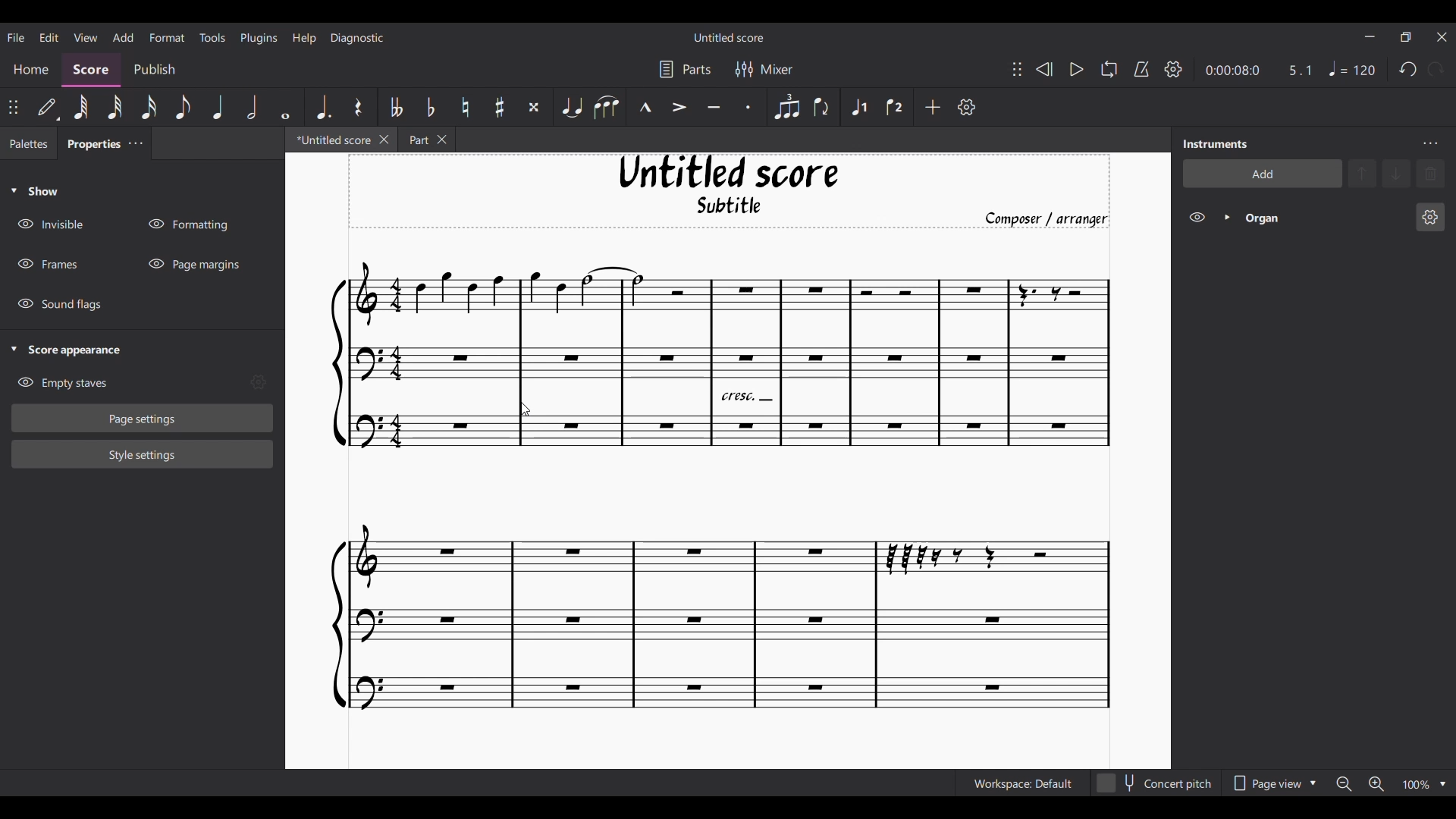 This screenshot has width=1456, height=819. Describe the element at coordinates (1415, 786) in the screenshot. I see `Current zoom factor` at that location.